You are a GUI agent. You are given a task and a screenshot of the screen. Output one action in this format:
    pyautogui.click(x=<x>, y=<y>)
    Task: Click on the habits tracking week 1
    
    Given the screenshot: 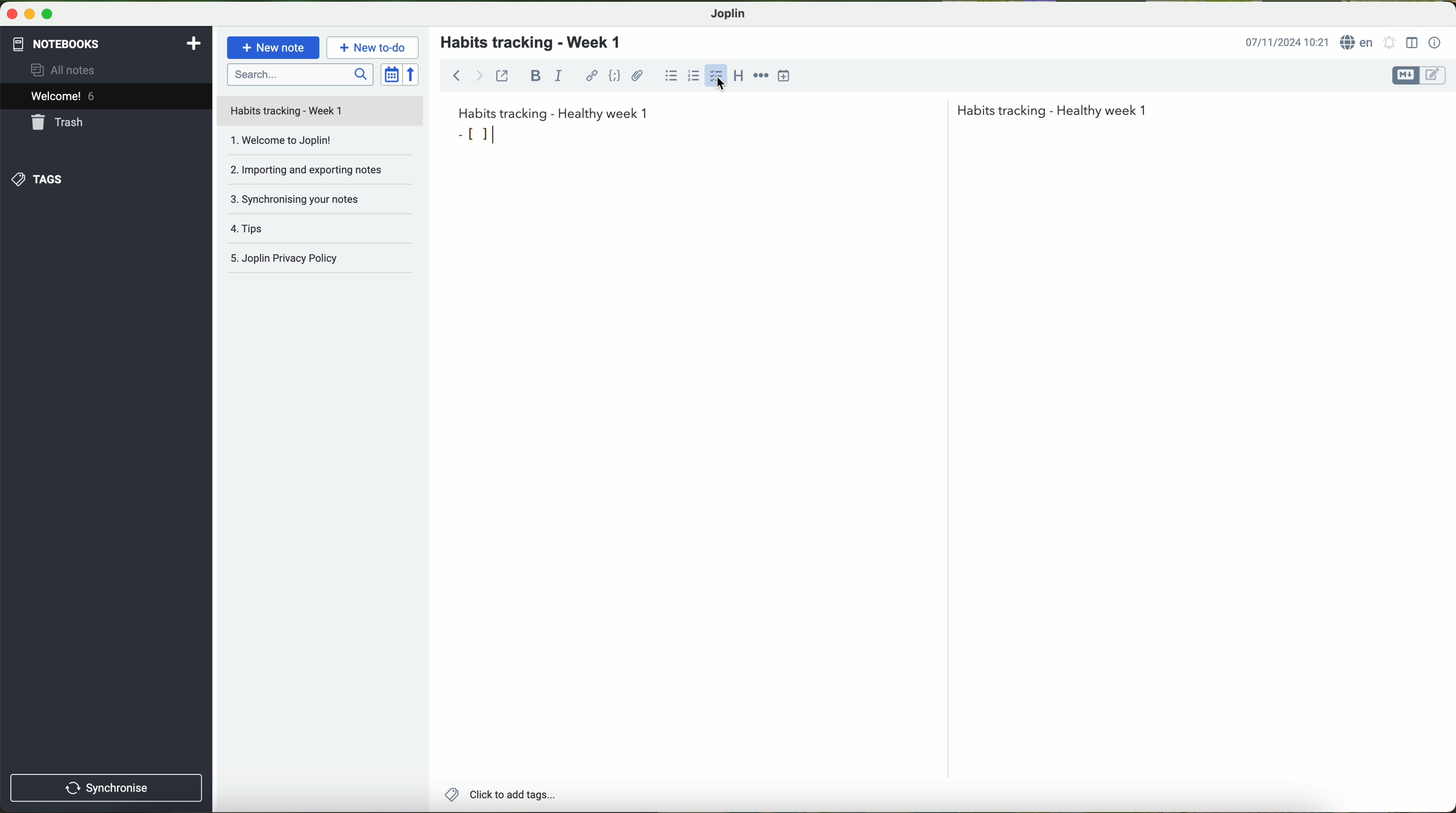 What is the action you would take?
    pyautogui.click(x=553, y=112)
    